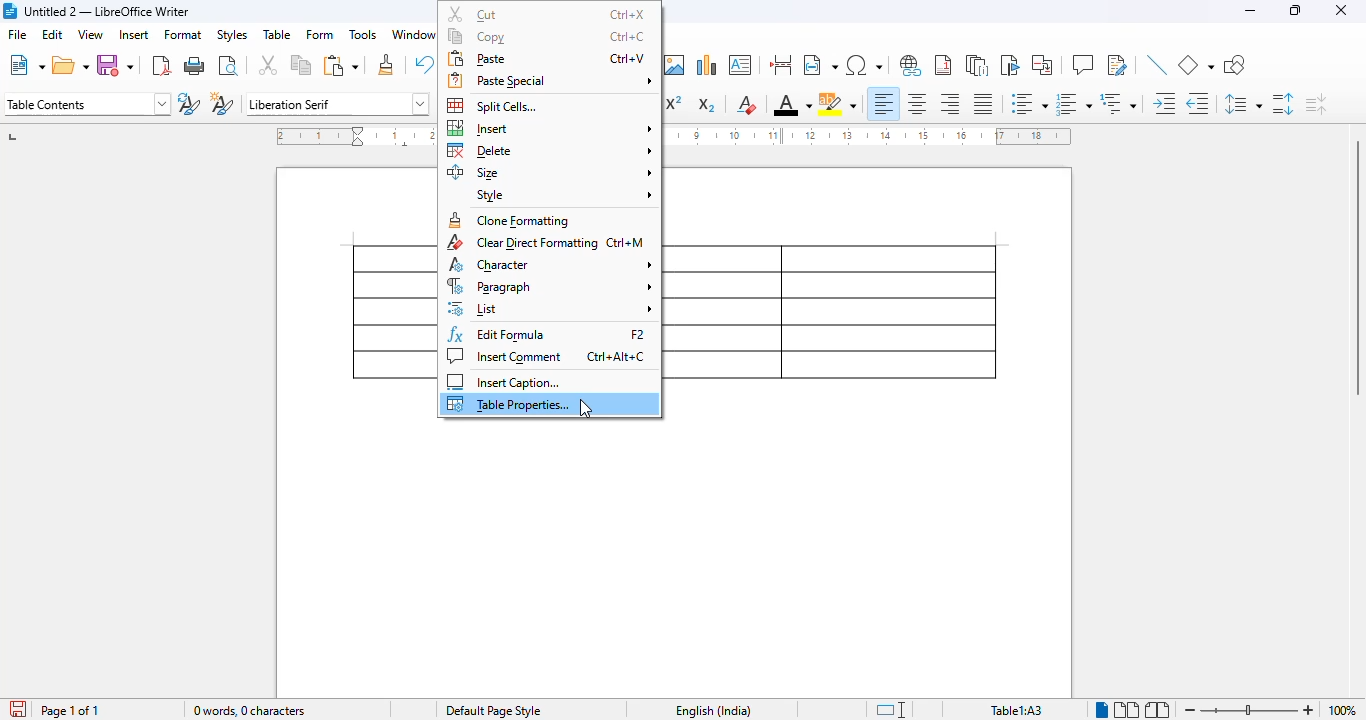 Image resolution: width=1366 pixels, height=720 pixels. Describe the element at coordinates (625, 242) in the screenshot. I see `shortcut for clear direct formatting` at that location.